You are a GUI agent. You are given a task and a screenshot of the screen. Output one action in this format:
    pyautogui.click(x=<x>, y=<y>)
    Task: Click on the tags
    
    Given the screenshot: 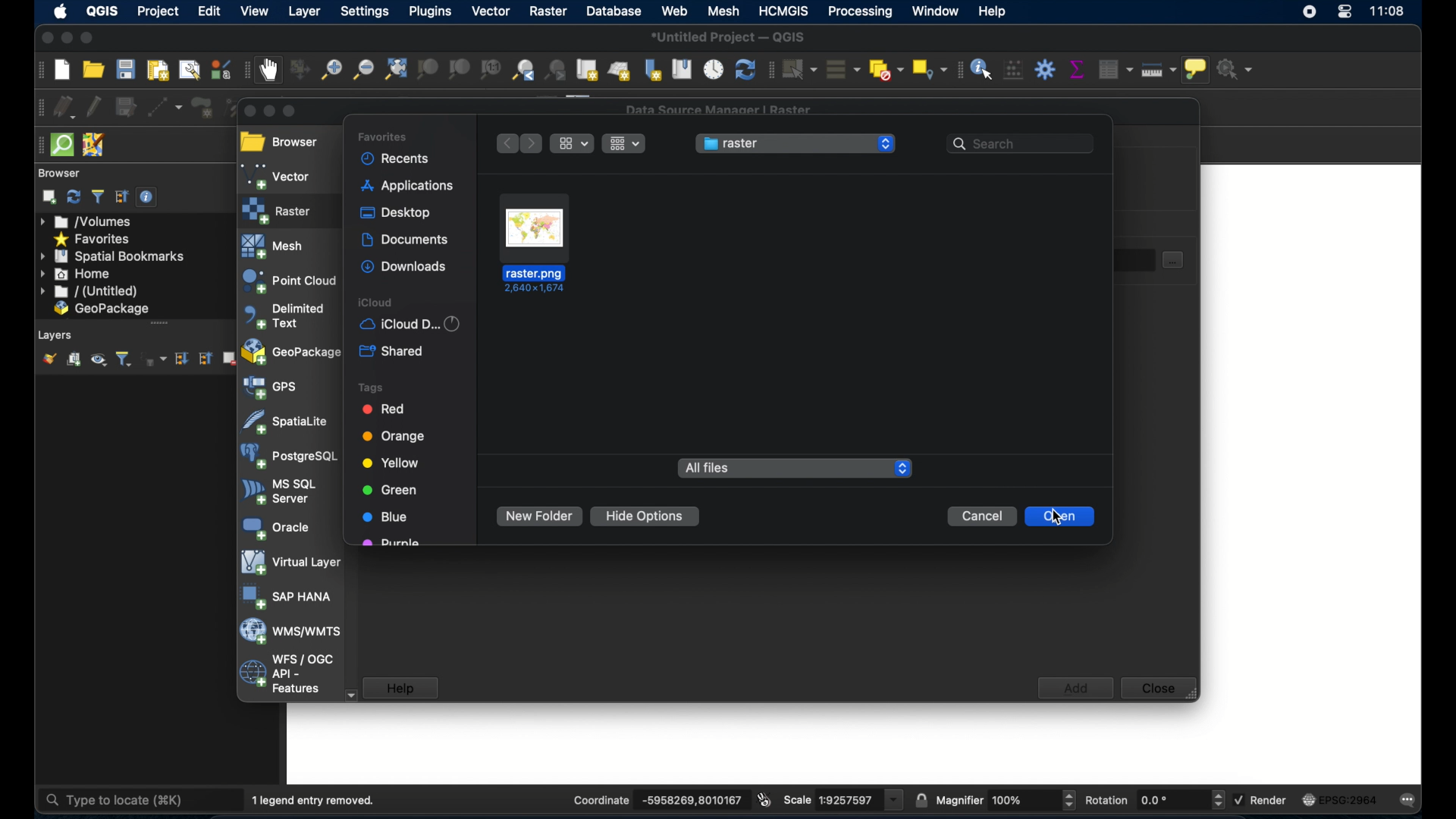 What is the action you would take?
    pyautogui.click(x=372, y=386)
    